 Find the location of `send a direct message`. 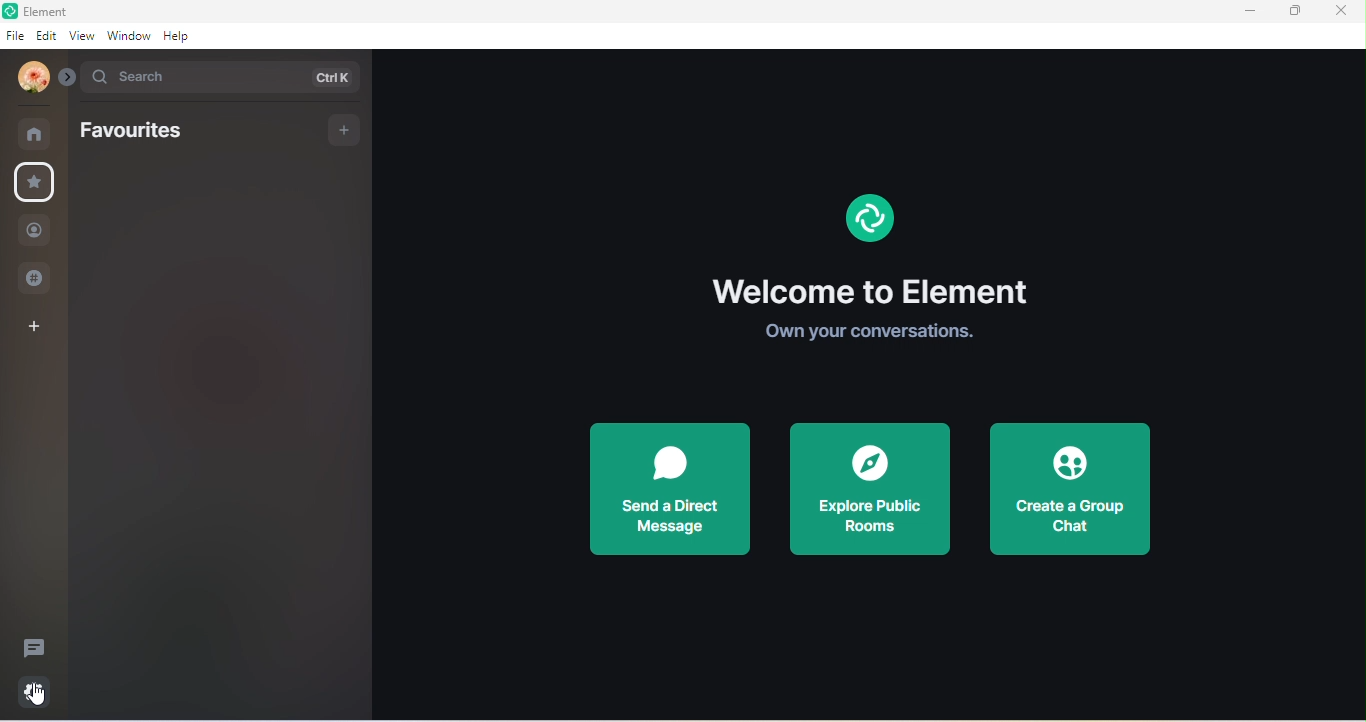

send a direct message is located at coordinates (679, 491).